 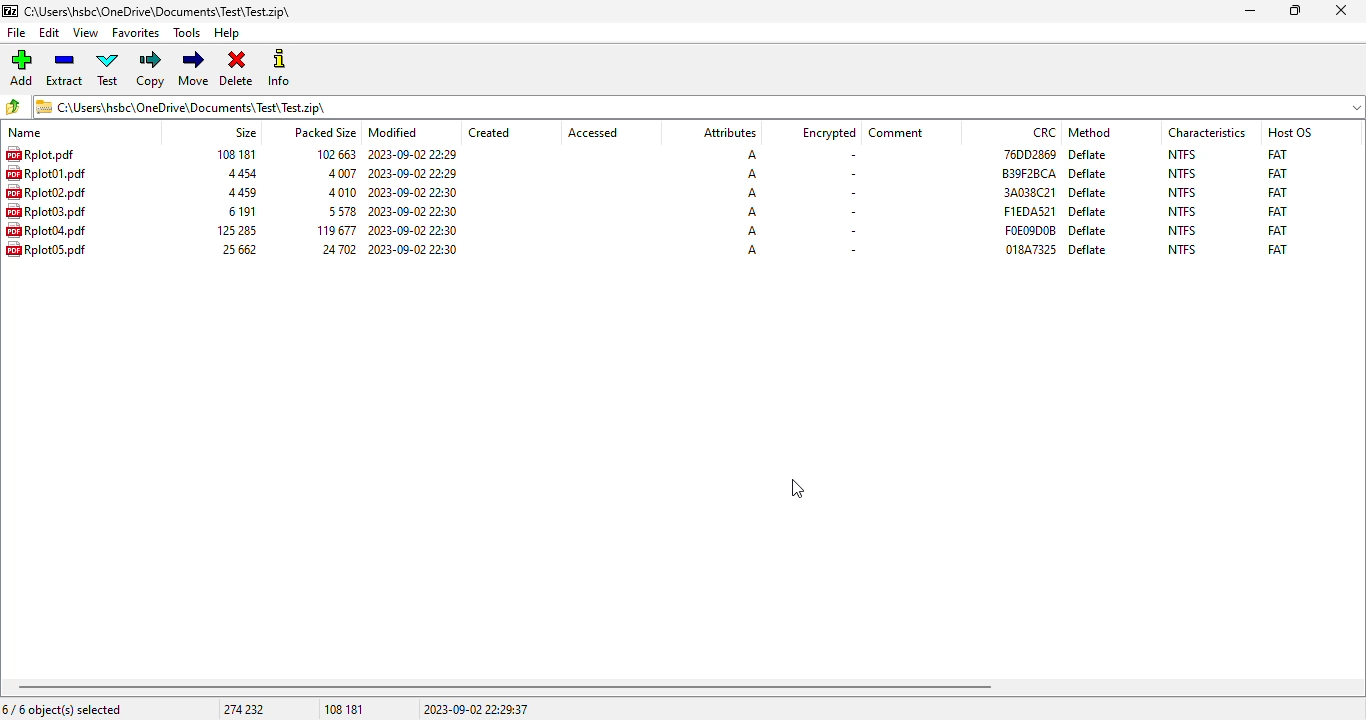 What do you see at coordinates (1295, 11) in the screenshot?
I see `maximize` at bounding box center [1295, 11].